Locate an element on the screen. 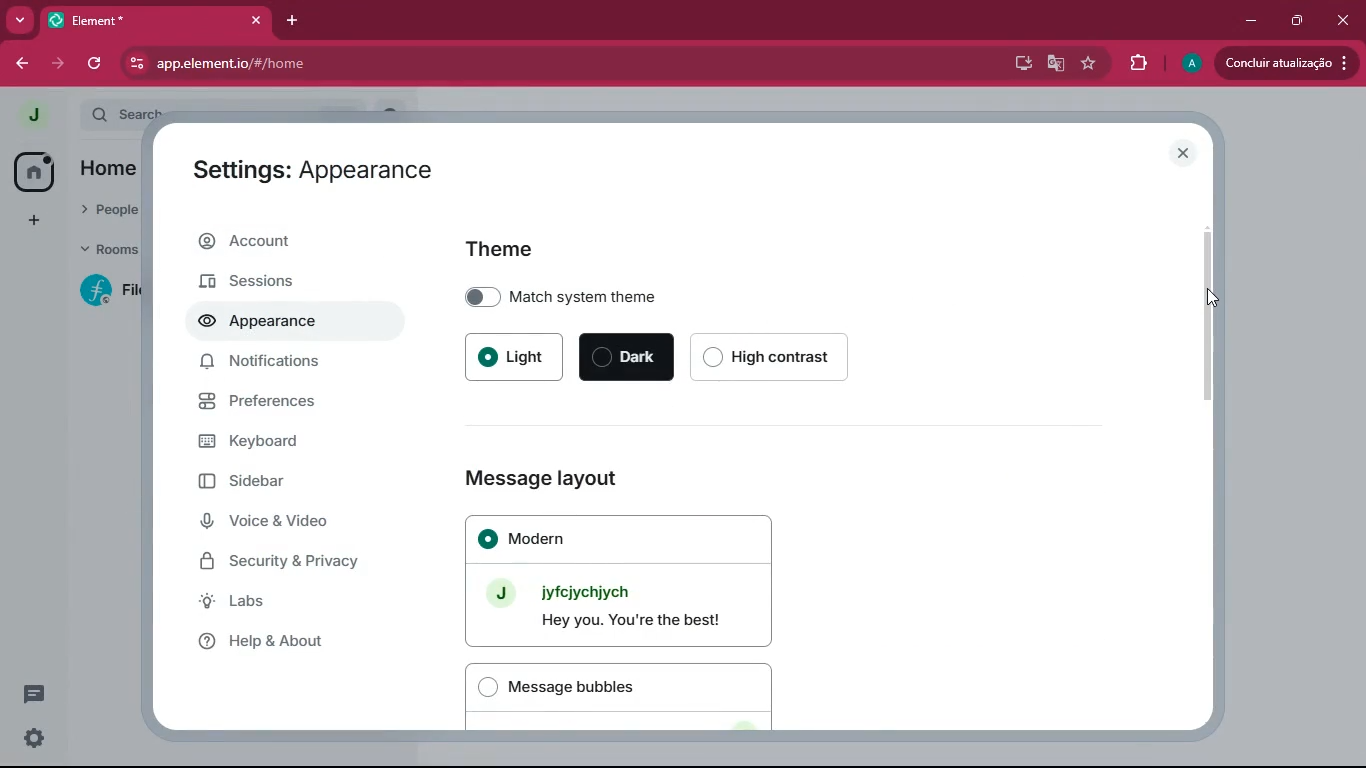 This screenshot has height=768, width=1366. google translate is located at coordinates (1056, 66).